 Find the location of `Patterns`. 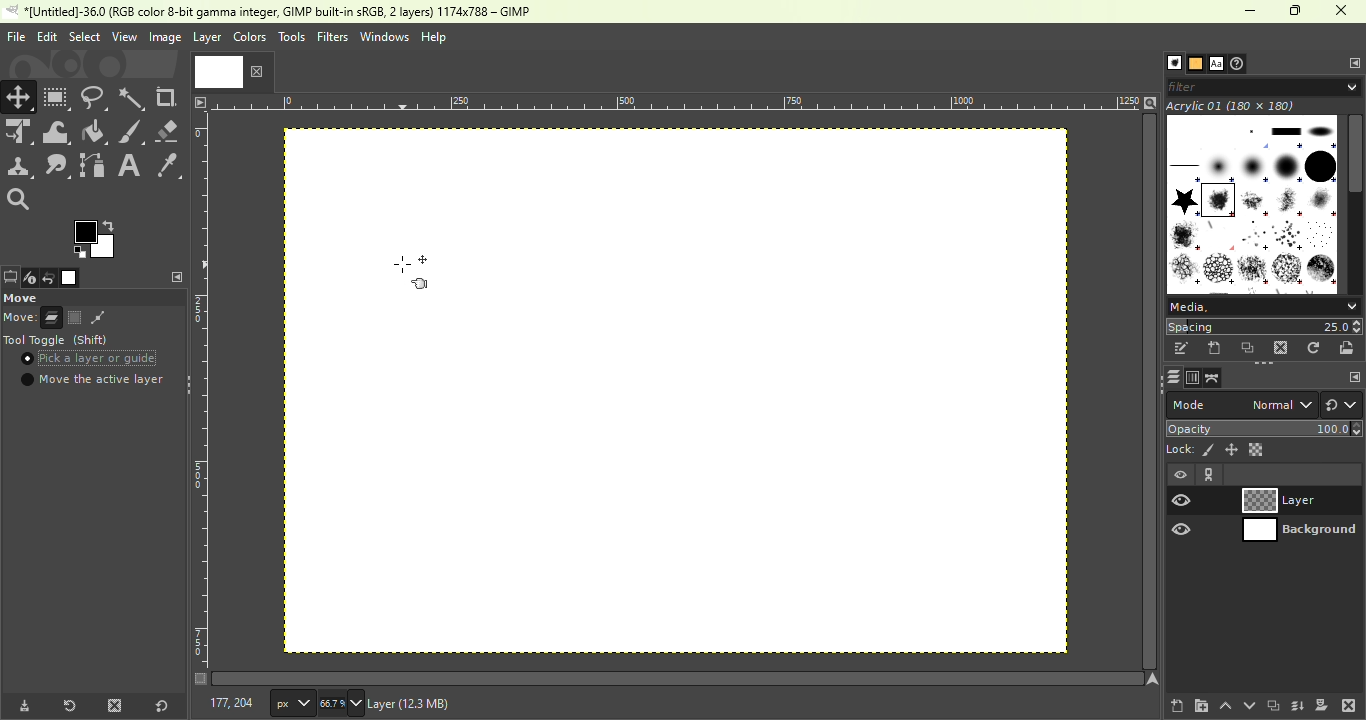

Patterns is located at coordinates (1194, 62).